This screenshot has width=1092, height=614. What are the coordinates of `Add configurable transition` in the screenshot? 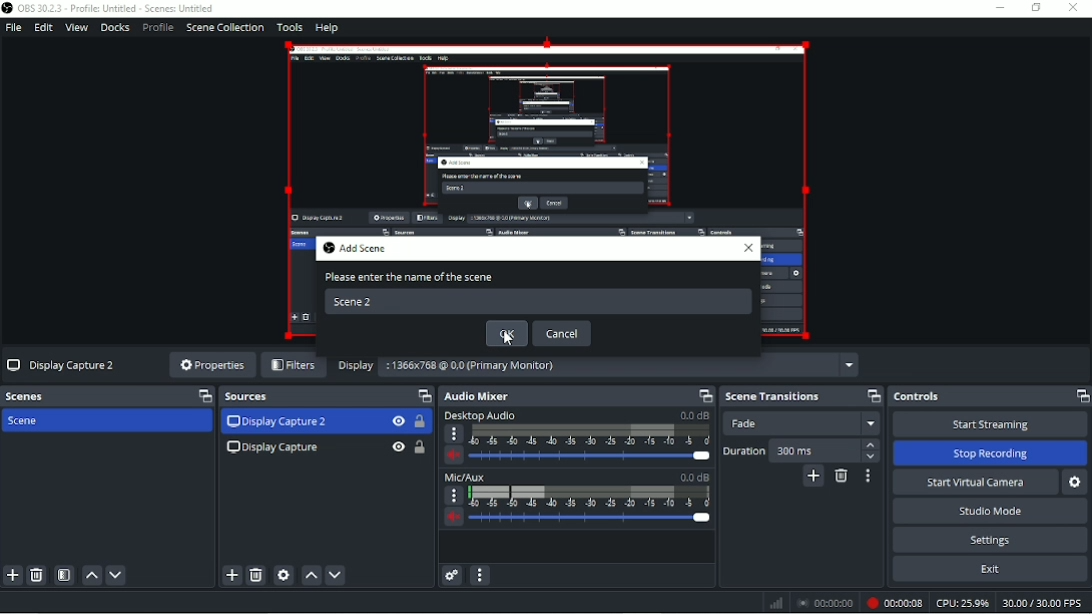 It's located at (812, 477).